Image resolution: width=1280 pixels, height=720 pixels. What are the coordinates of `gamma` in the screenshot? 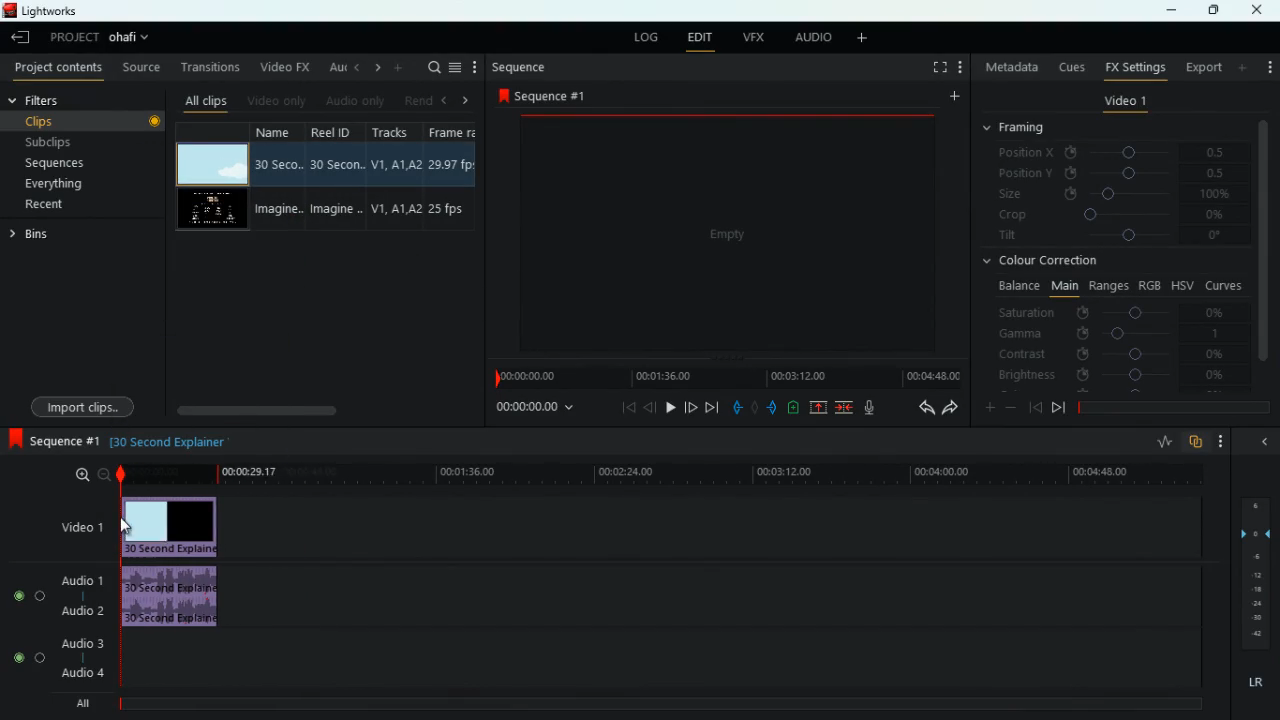 It's located at (1122, 334).